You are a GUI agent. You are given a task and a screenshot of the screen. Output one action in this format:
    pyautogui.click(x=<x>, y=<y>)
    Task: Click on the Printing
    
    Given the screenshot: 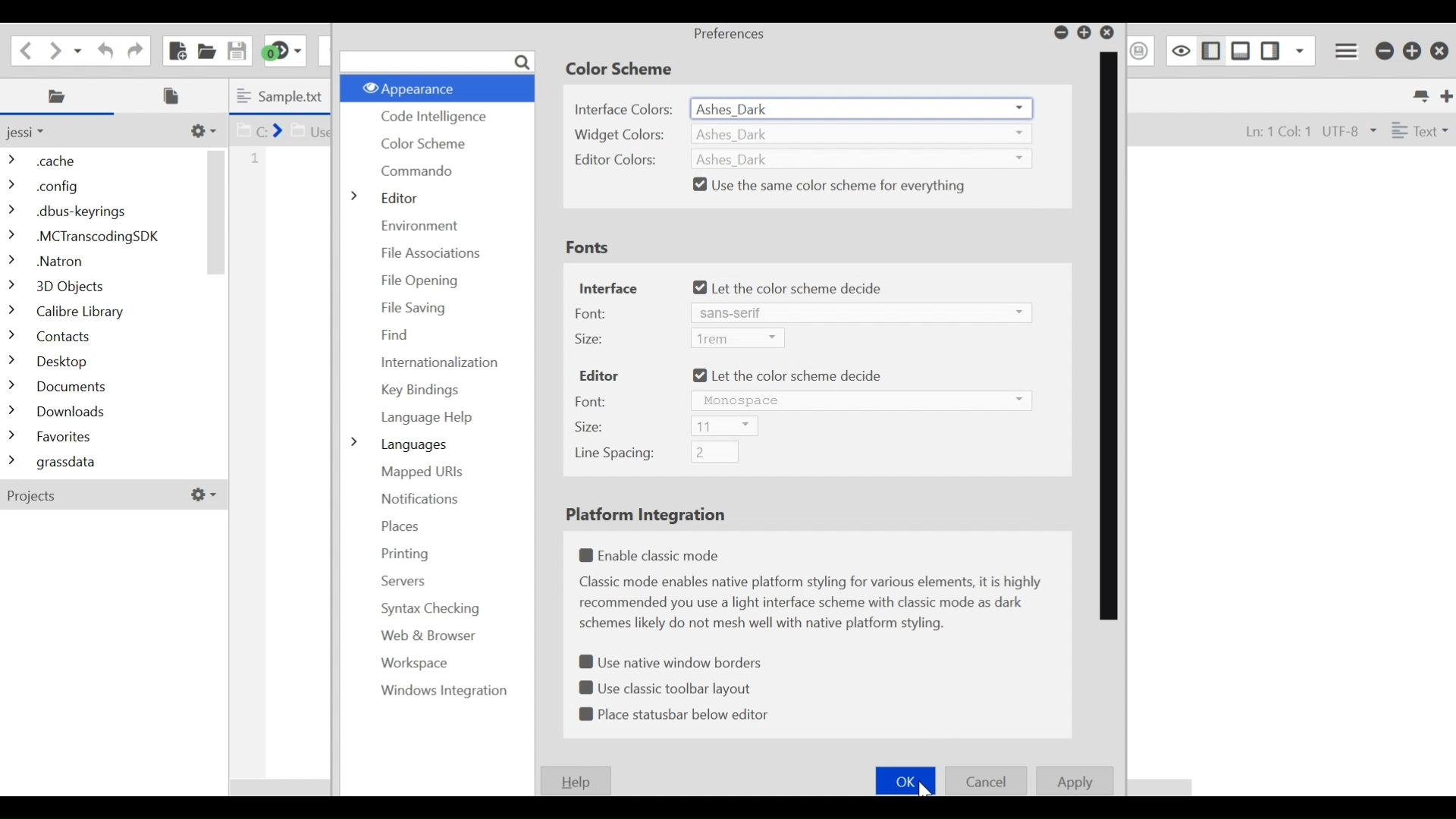 What is the action you would take?
    pyautogui.click(x=400, y=554)
    